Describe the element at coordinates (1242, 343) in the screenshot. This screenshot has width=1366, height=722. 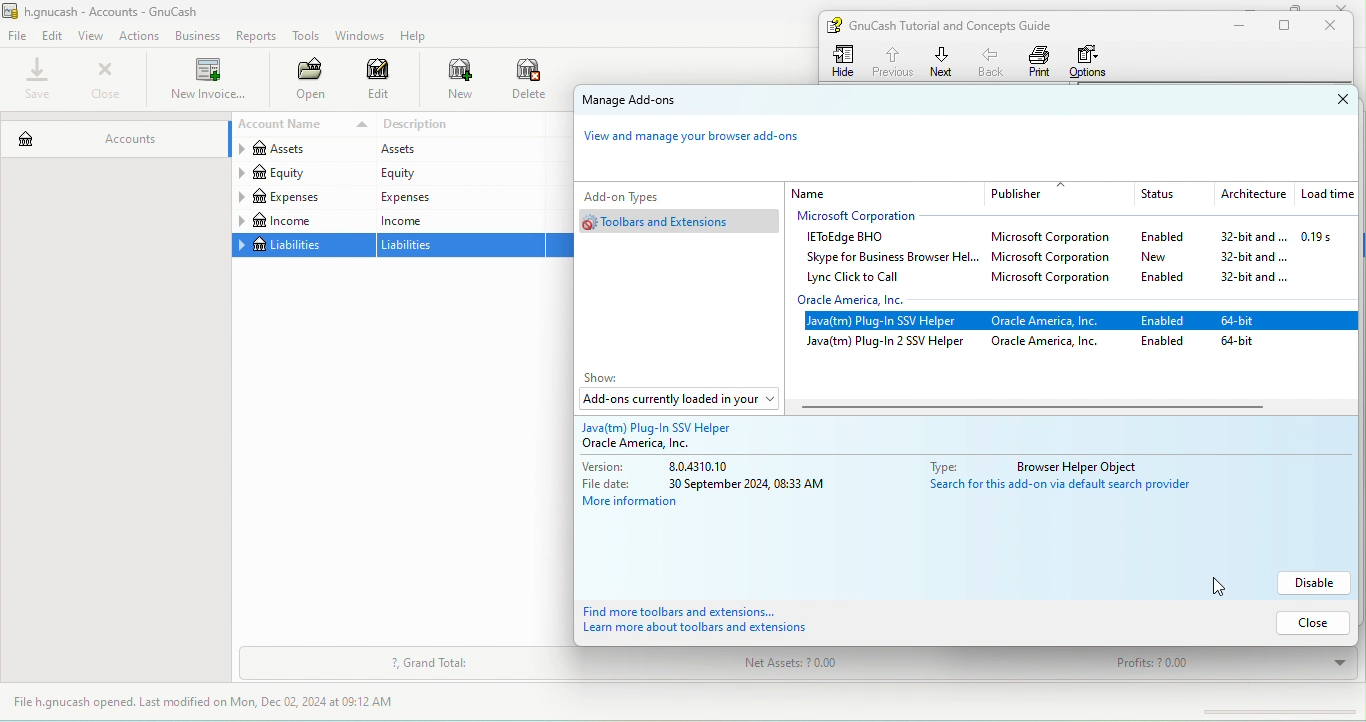
I see `64 bit` at that location.